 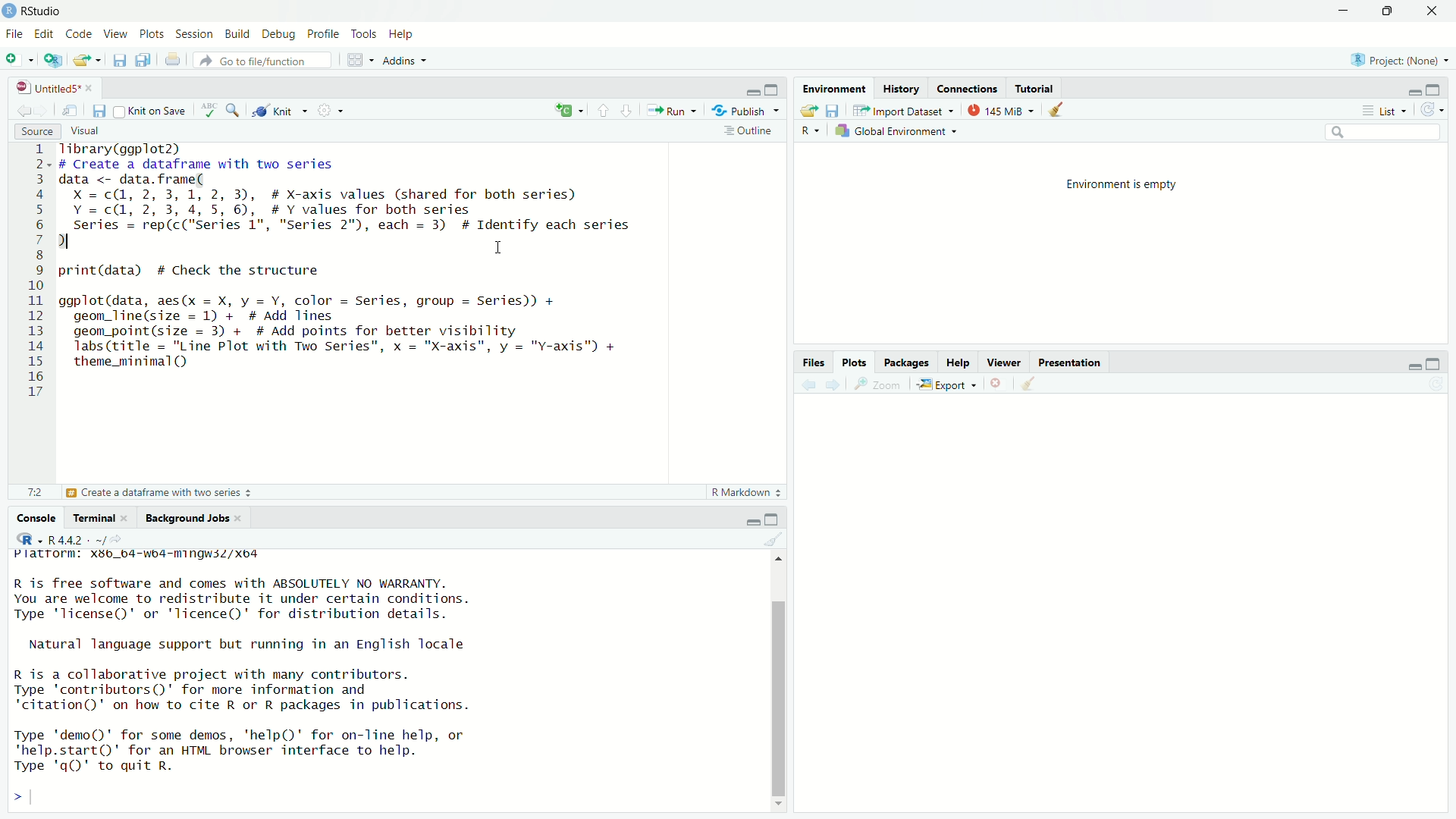 What do you see at coordinates (752, 519) in the screenshot?
I see `minimize` at bounding box center [752, 519].